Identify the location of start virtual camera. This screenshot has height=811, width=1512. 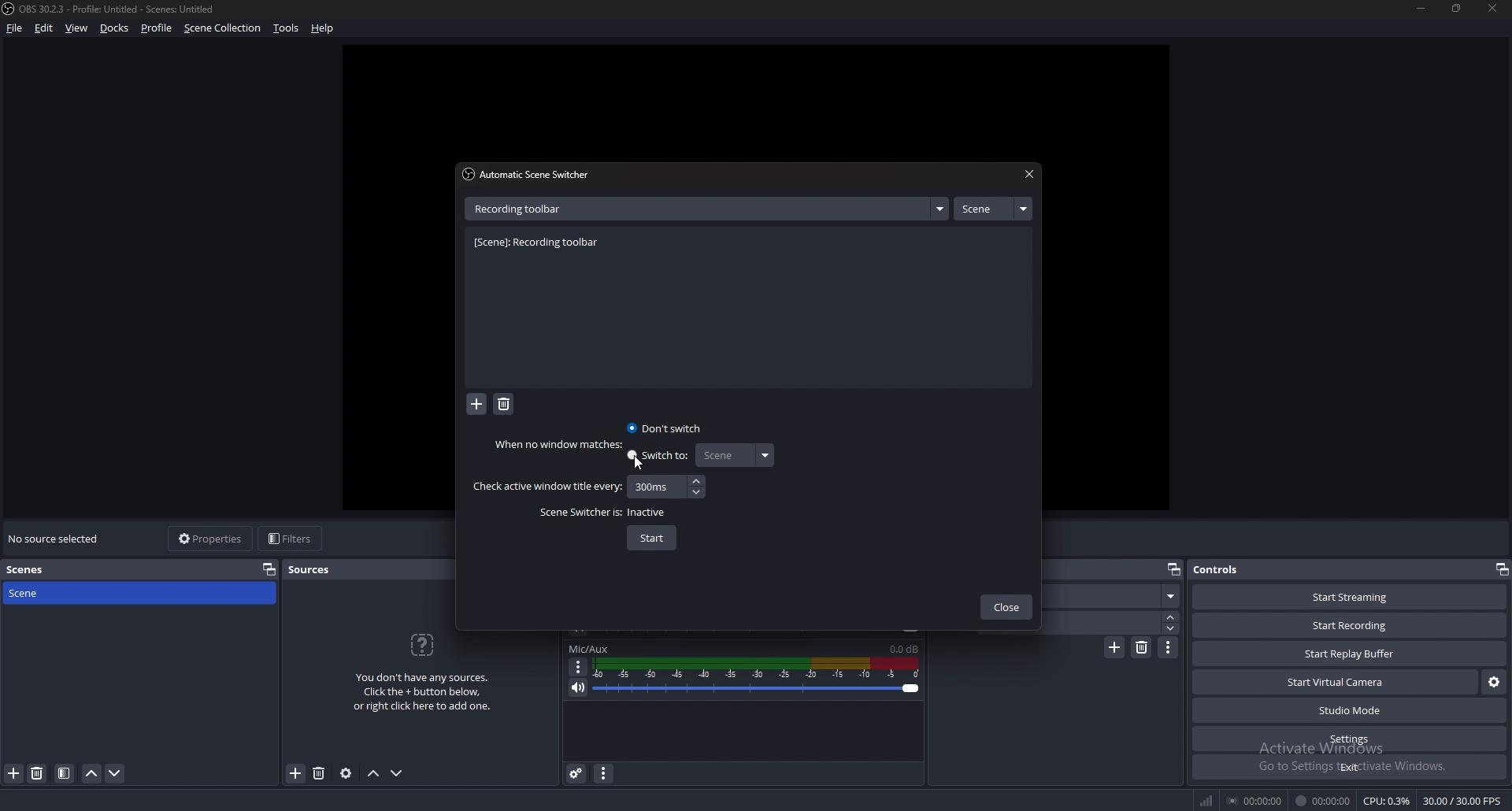
(1337, 682).